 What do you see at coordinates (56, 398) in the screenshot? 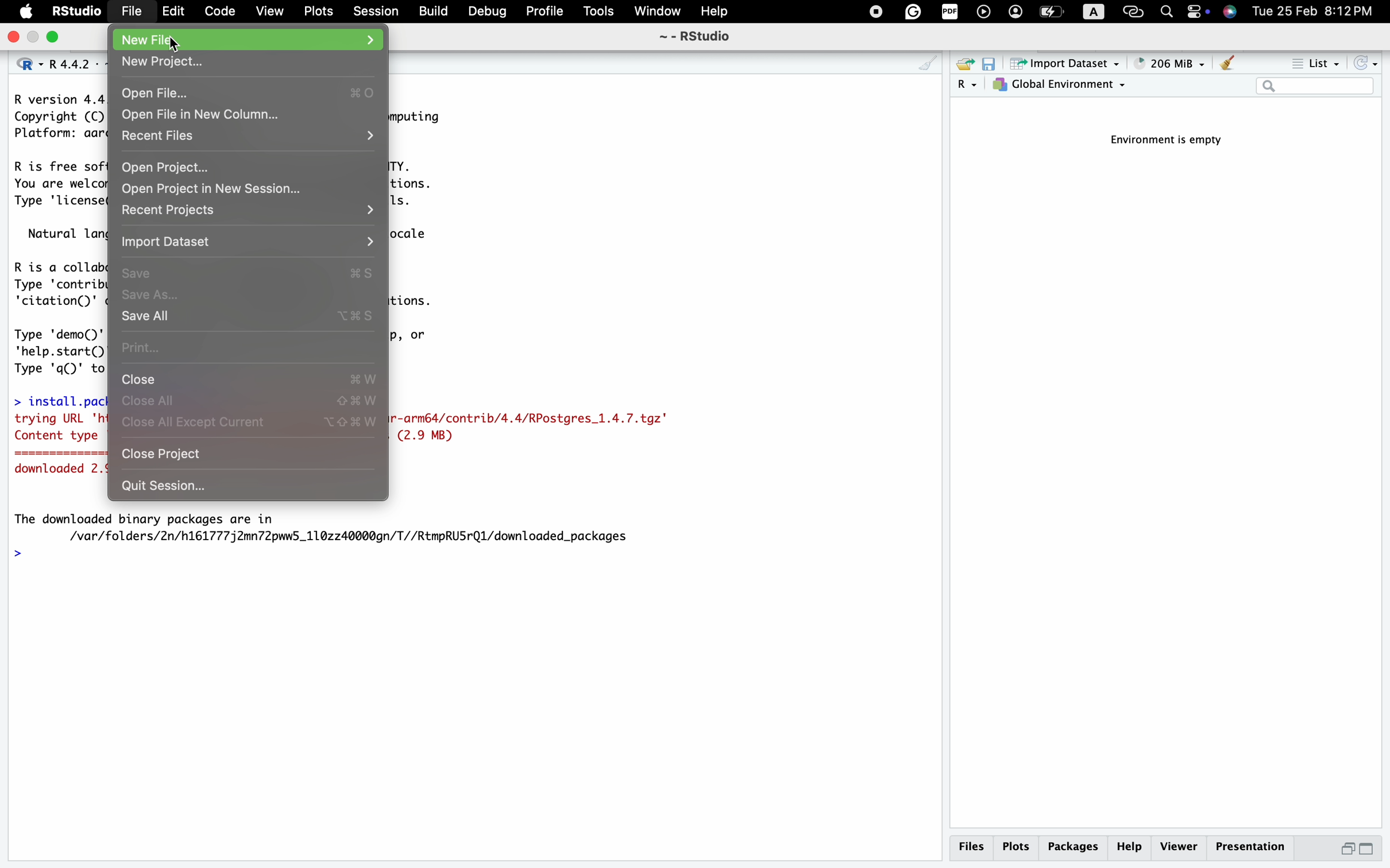
I see `install.packages("RPostgres|’)` at bounding box center [56, 398].